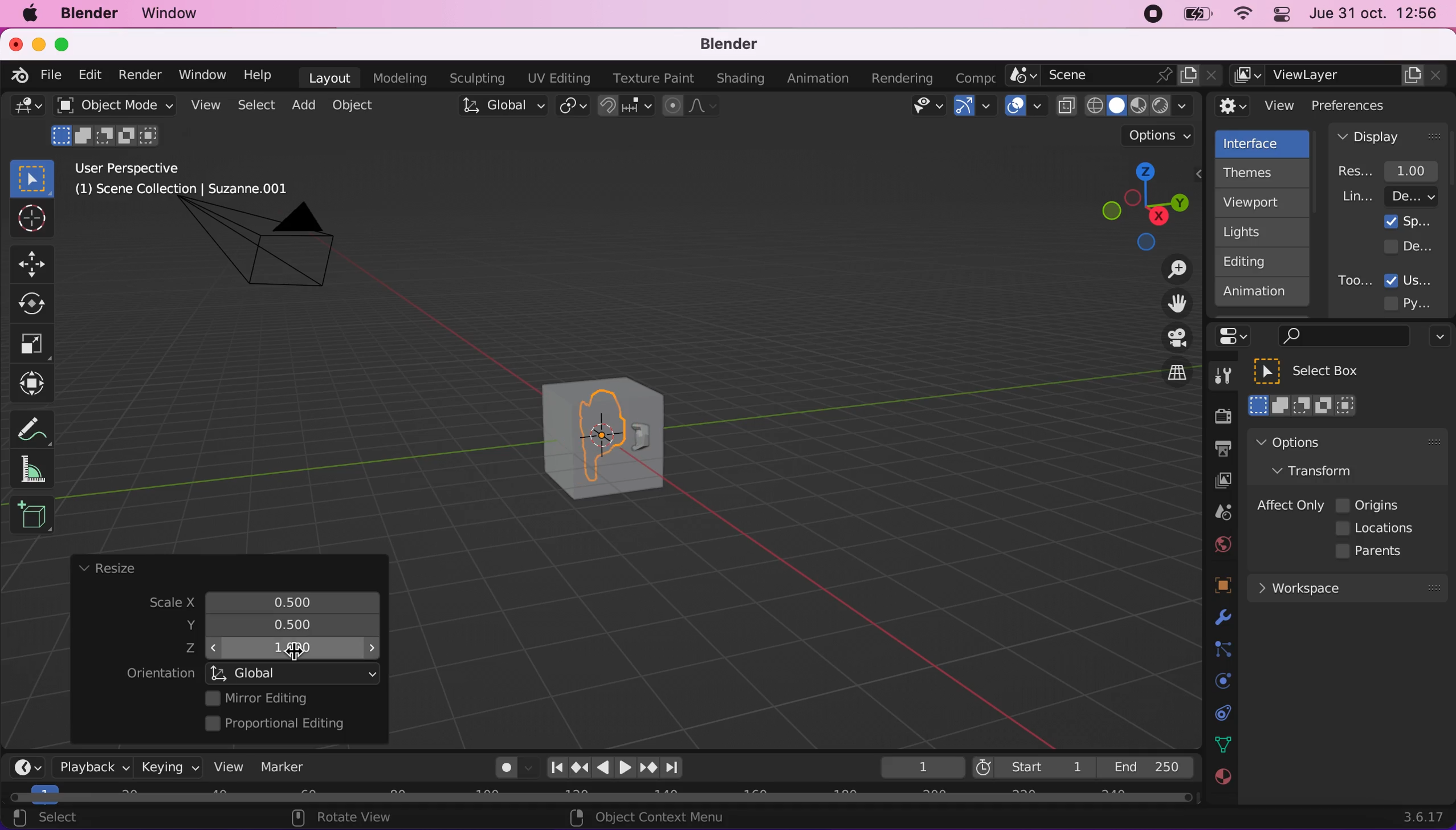 This screenshot has width=1456, height=830. What do you see at coordinates (398, 79) in the screenshot?
I see `modeling` at bounding box center [398, 79].